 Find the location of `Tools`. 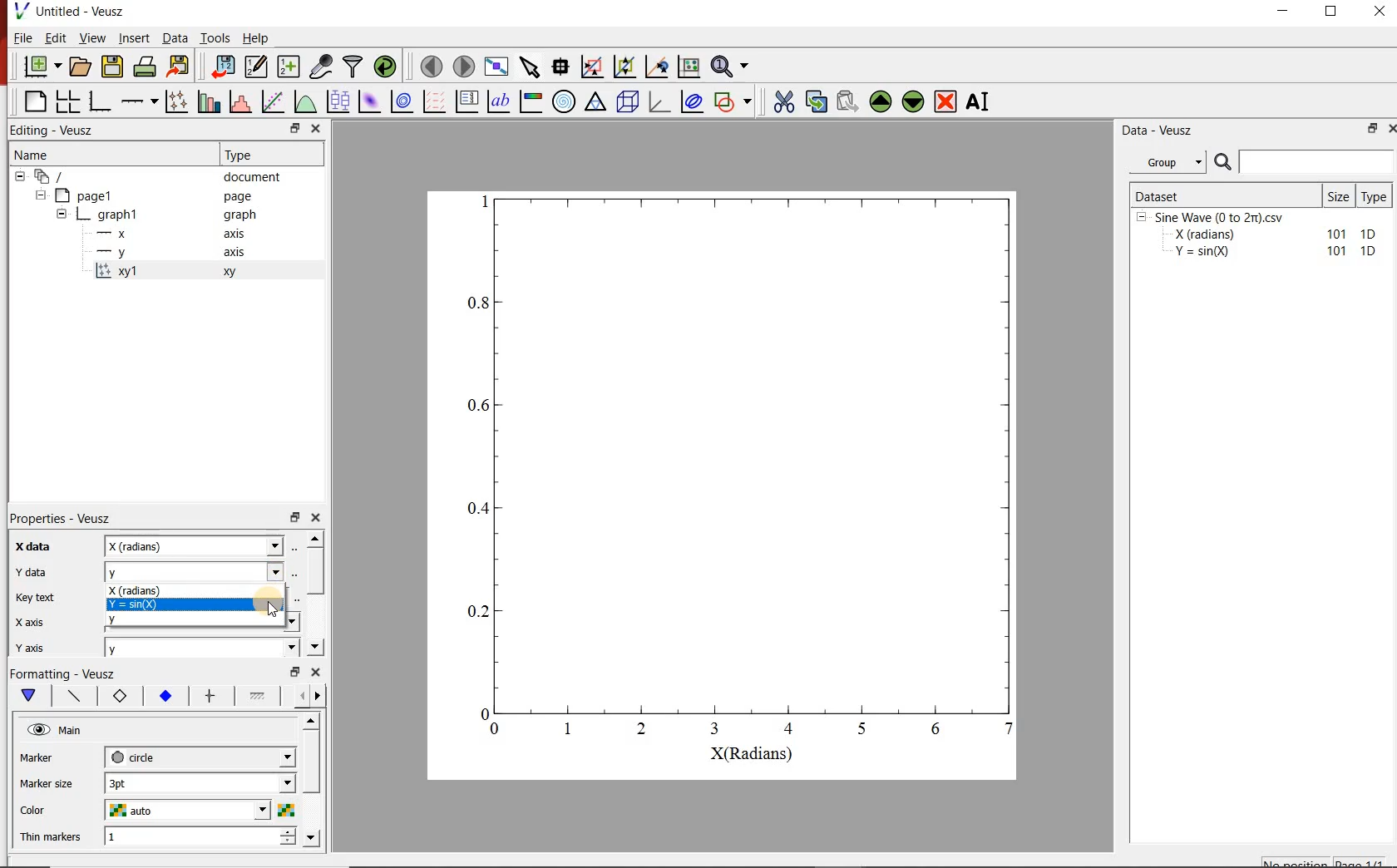

Tools is located at coordinates (215, 37).